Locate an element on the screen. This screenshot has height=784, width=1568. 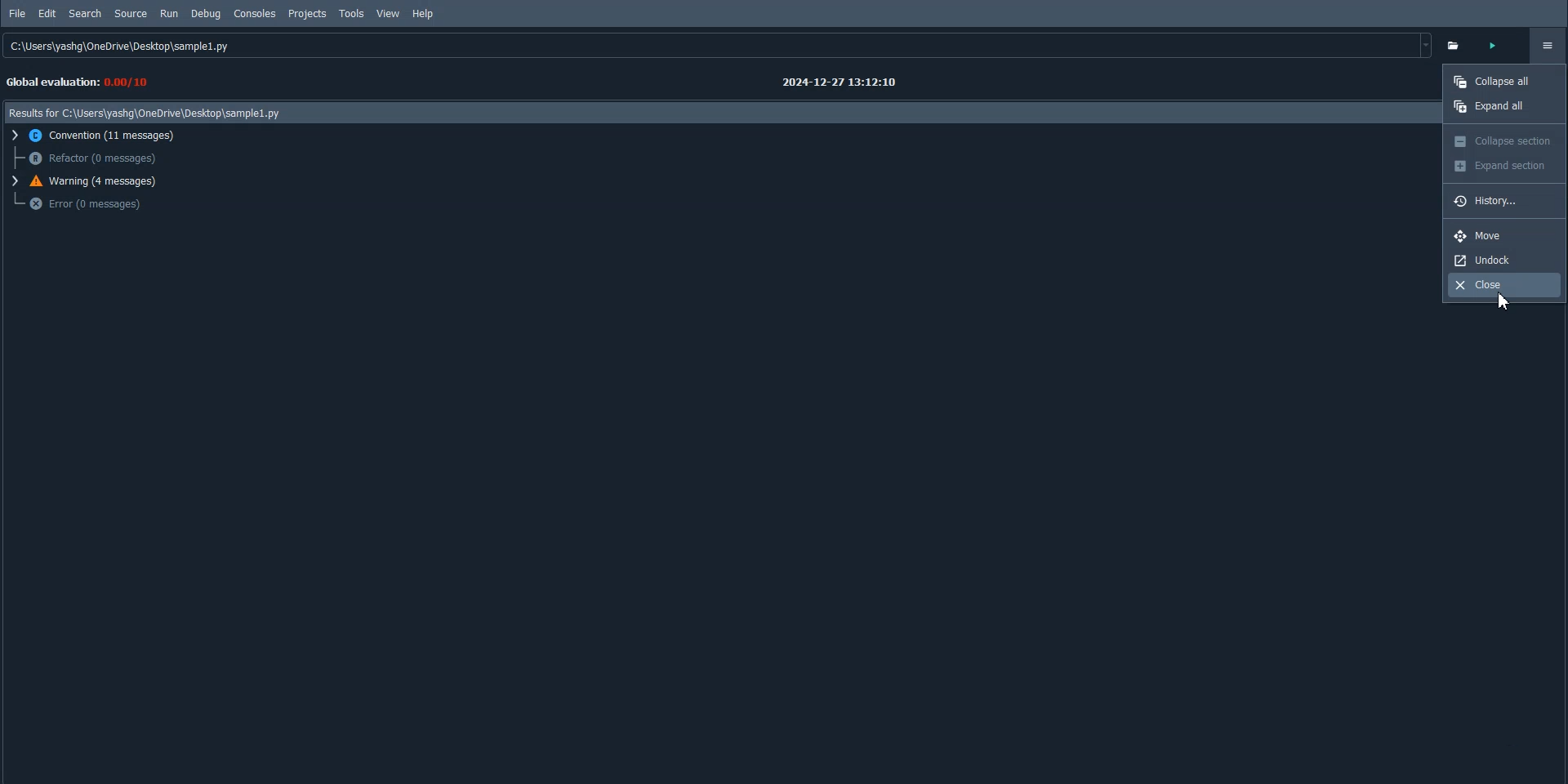
File is located at coordinates (18, 14).